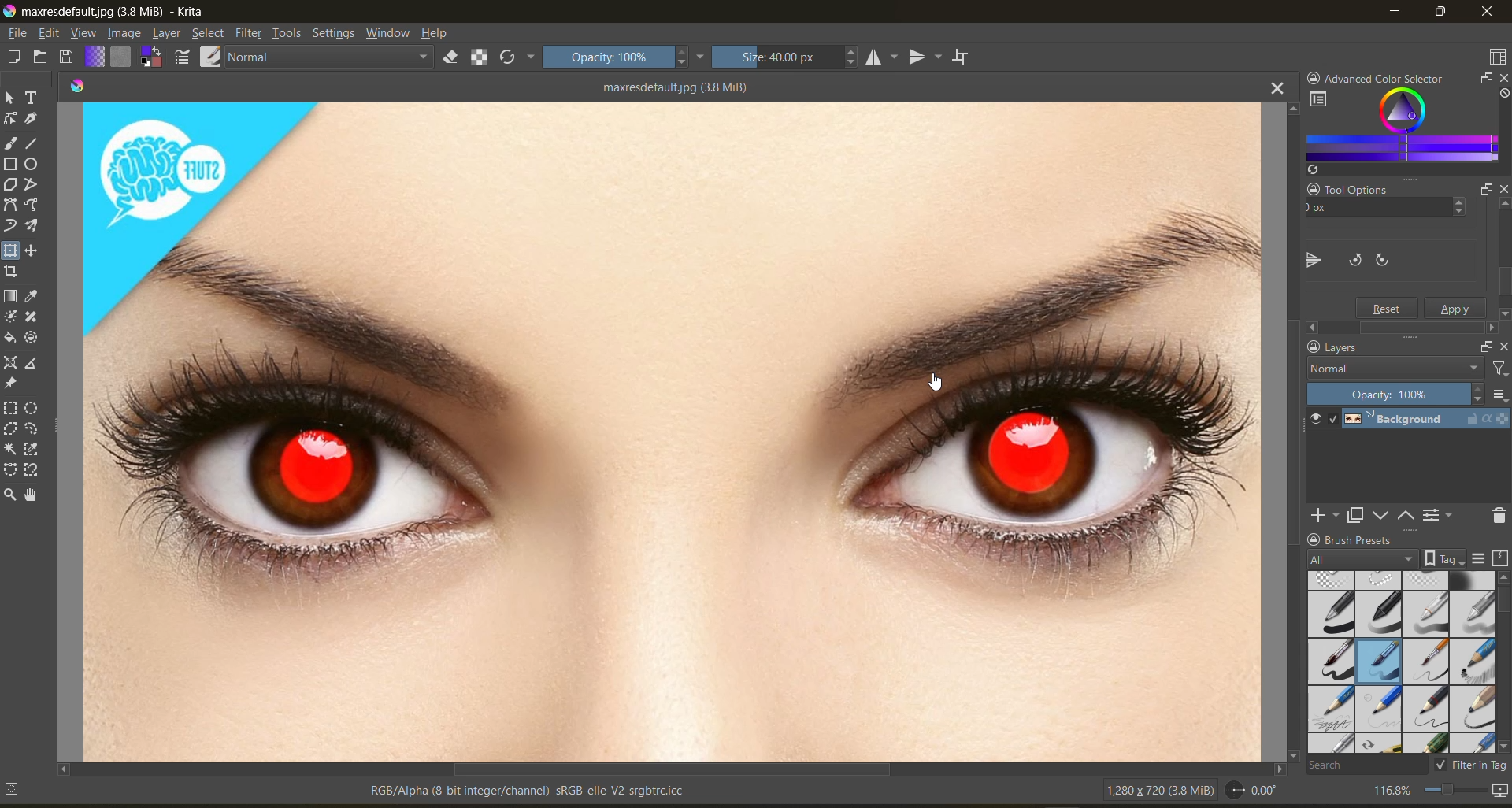 Image resolution: width=1512 pixels, height=808 pixels. I want to click on open, so click(41, 58).